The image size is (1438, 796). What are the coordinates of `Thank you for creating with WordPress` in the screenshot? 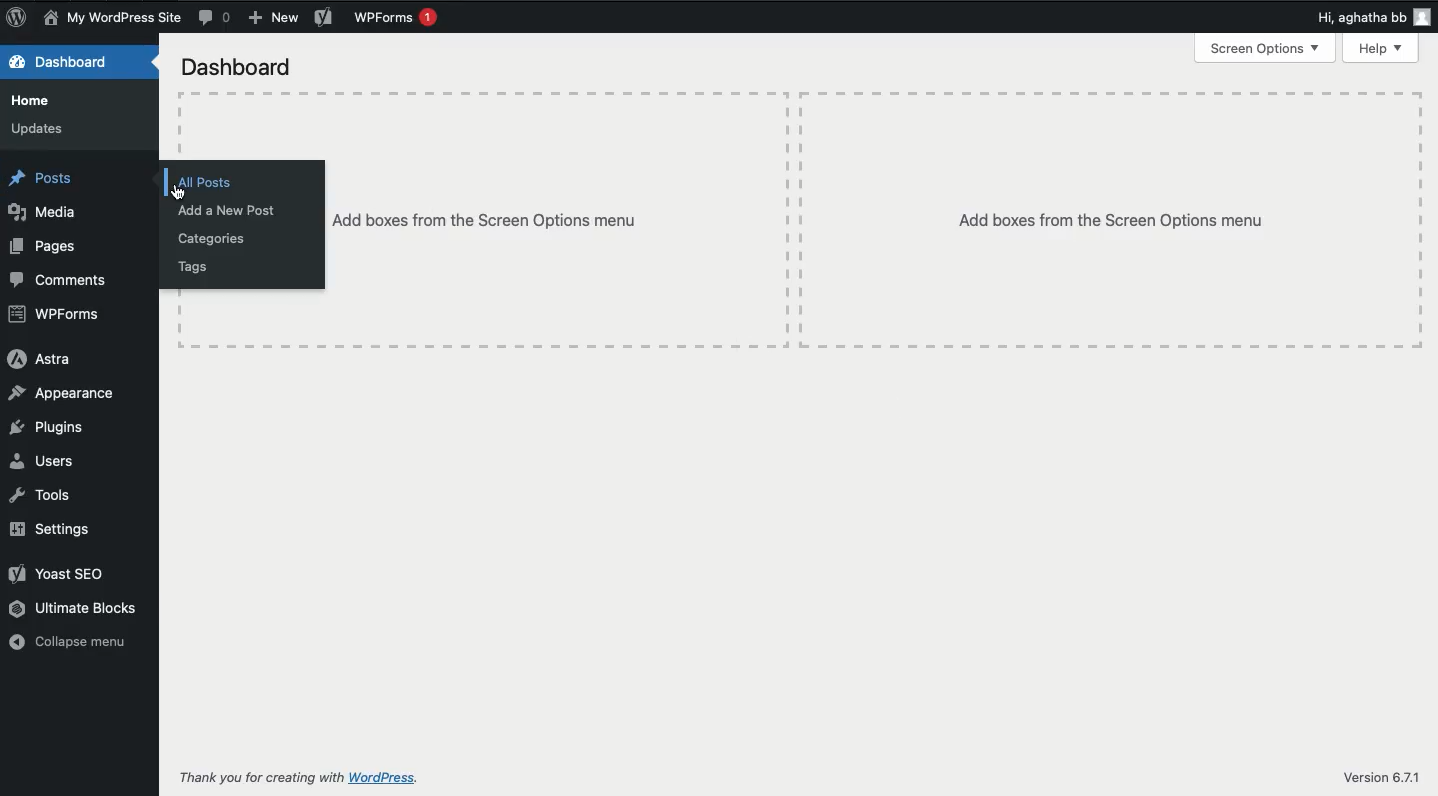 It's located at (295, 780).